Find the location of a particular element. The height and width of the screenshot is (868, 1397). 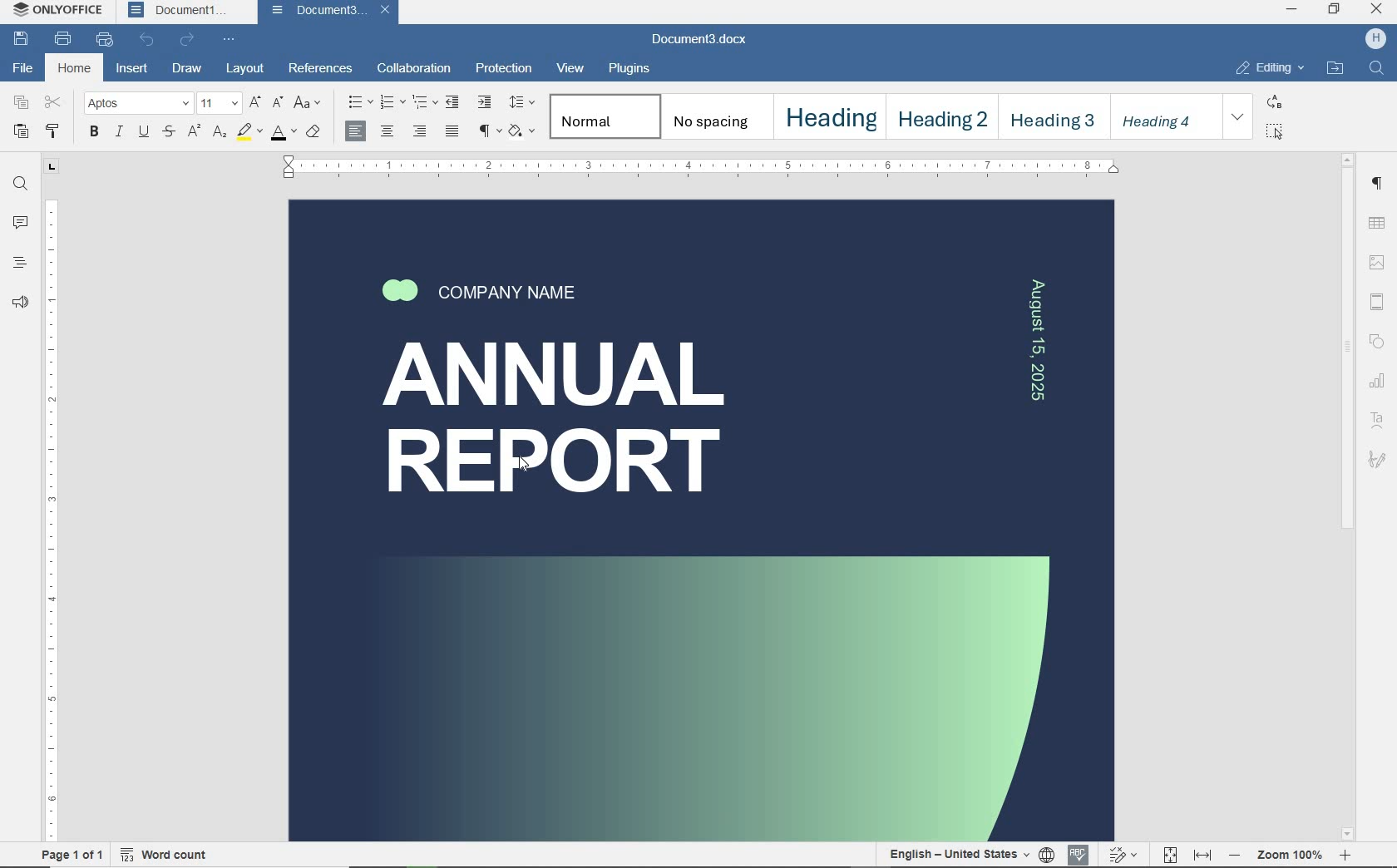

text art is located at coordinates (1378, 421).